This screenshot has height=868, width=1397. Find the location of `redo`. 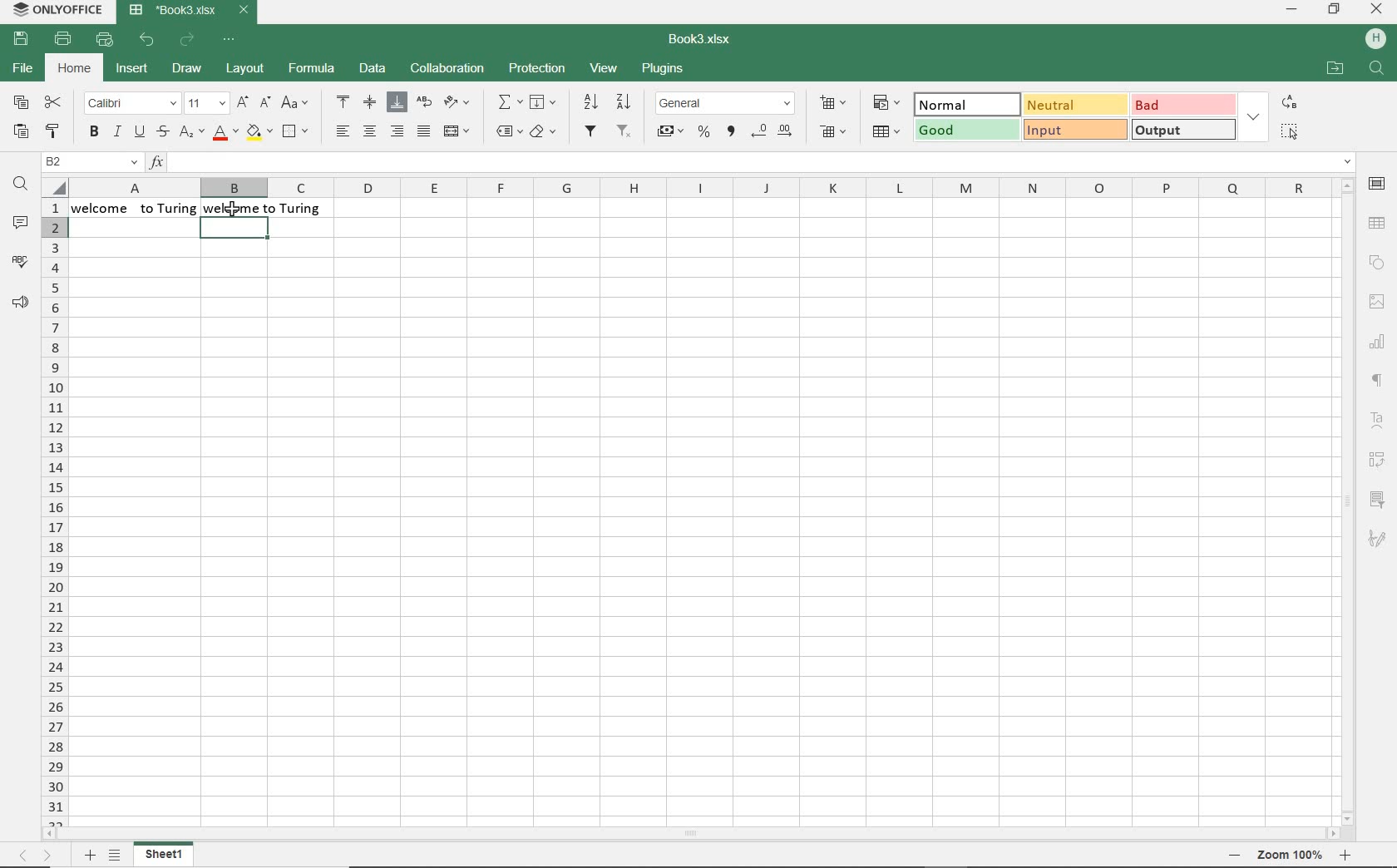

redo is located at coordinates (186, 40).